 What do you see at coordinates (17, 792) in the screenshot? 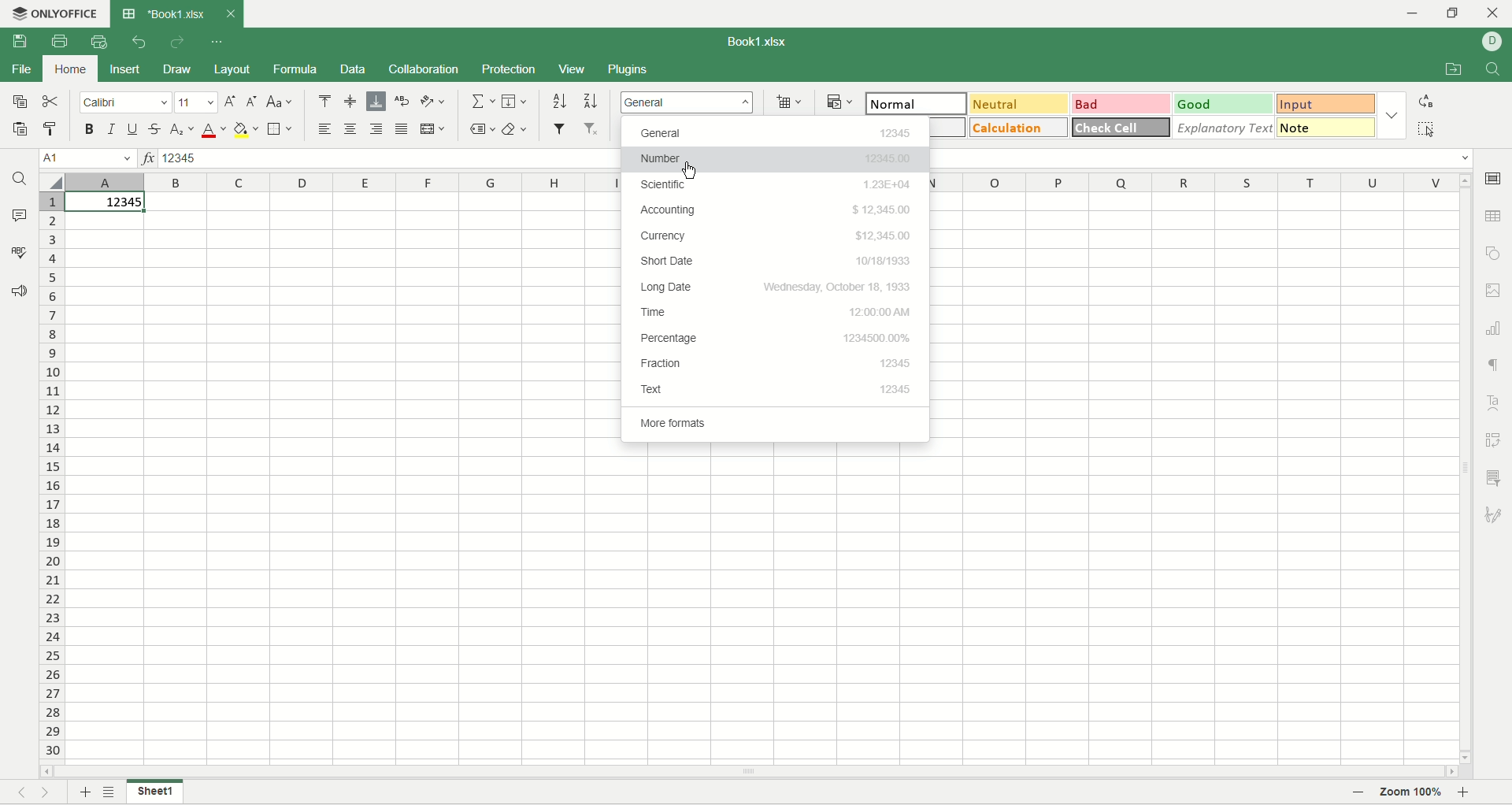
I see `previous` at bounding box center [17, 792].